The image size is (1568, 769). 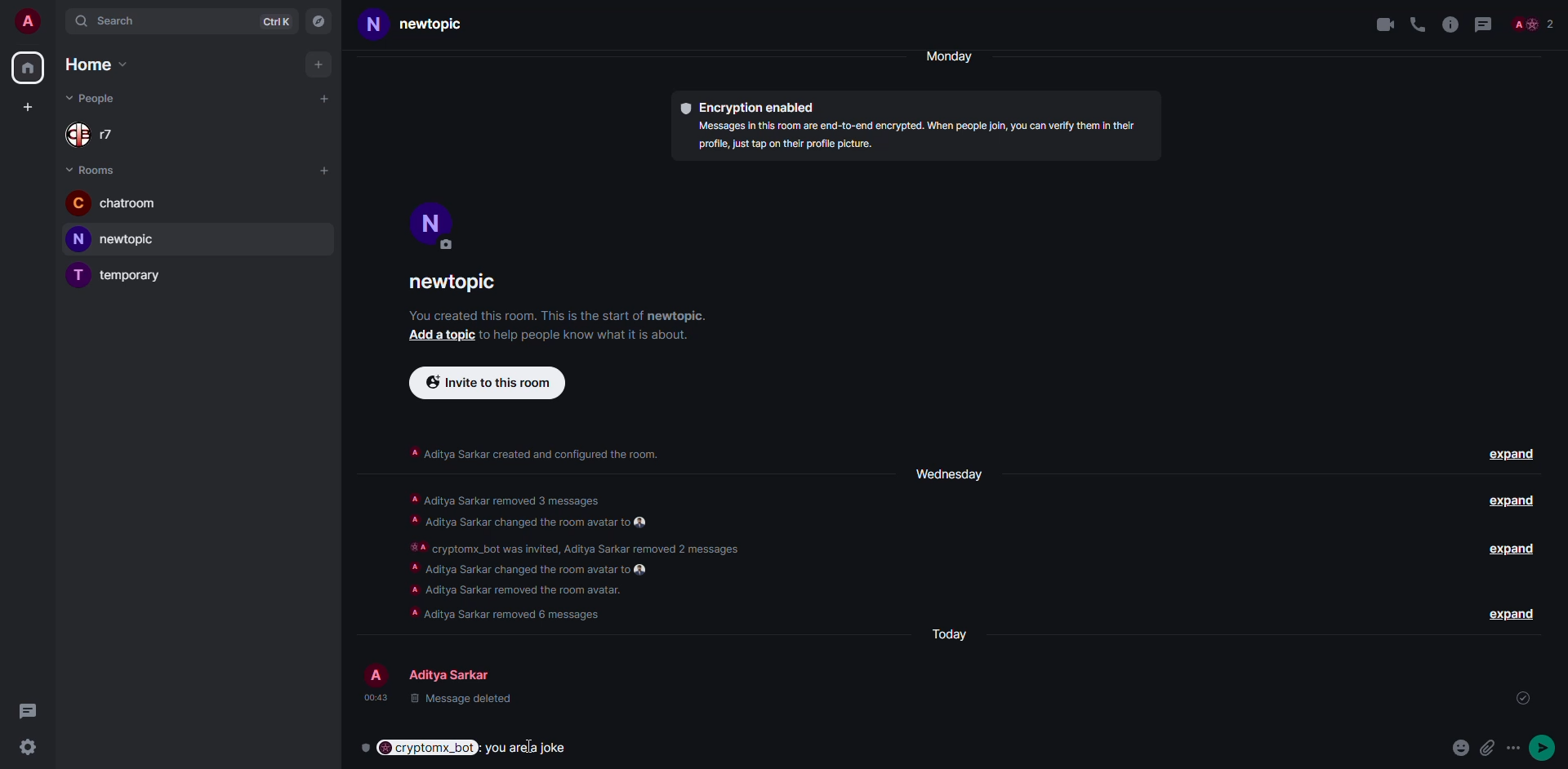 I want to click on message deleted, so click(x=448, y=703).